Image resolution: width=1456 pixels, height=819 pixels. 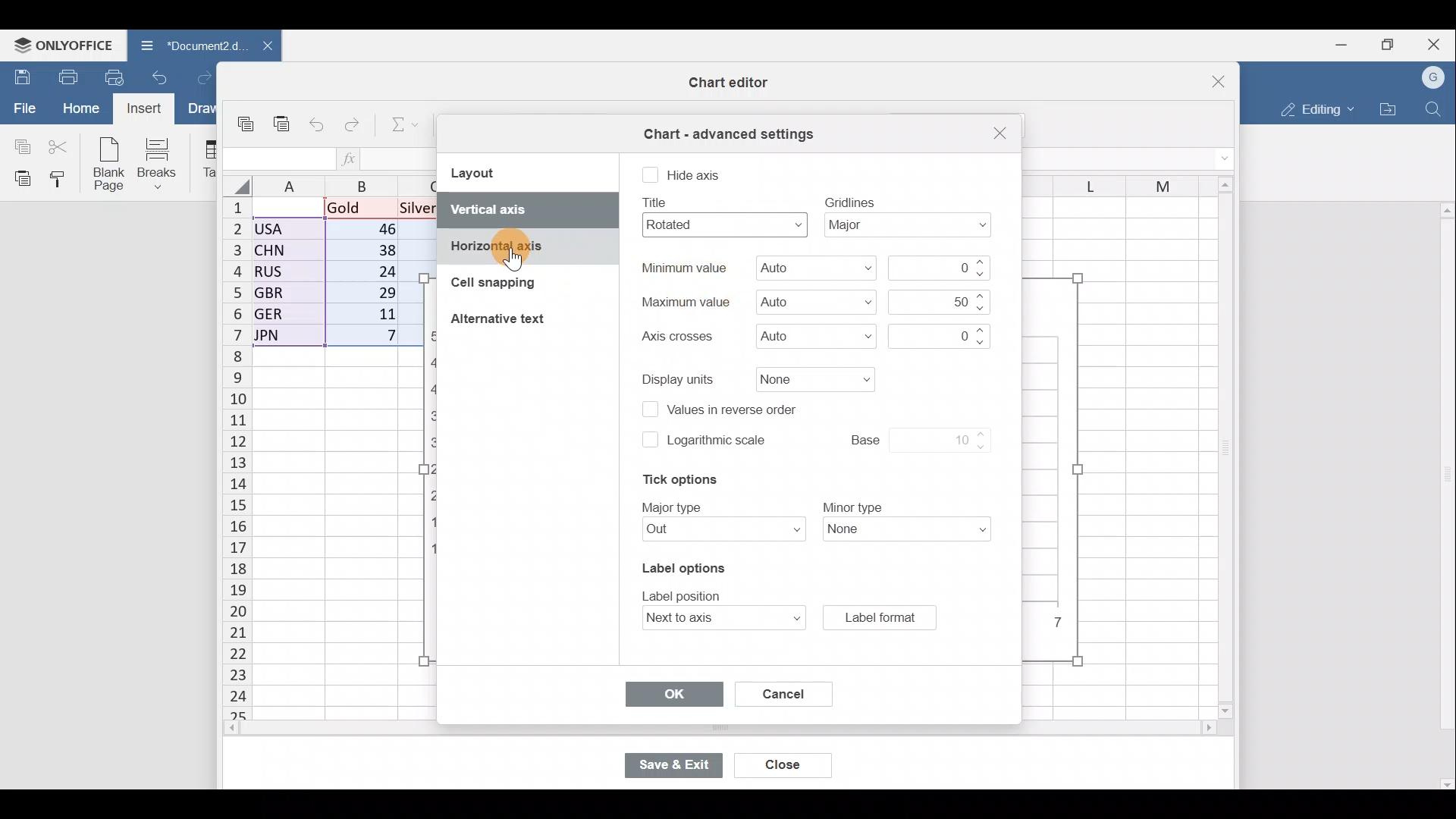 I want to click on Scroll bar, so click(x=688, y=730).